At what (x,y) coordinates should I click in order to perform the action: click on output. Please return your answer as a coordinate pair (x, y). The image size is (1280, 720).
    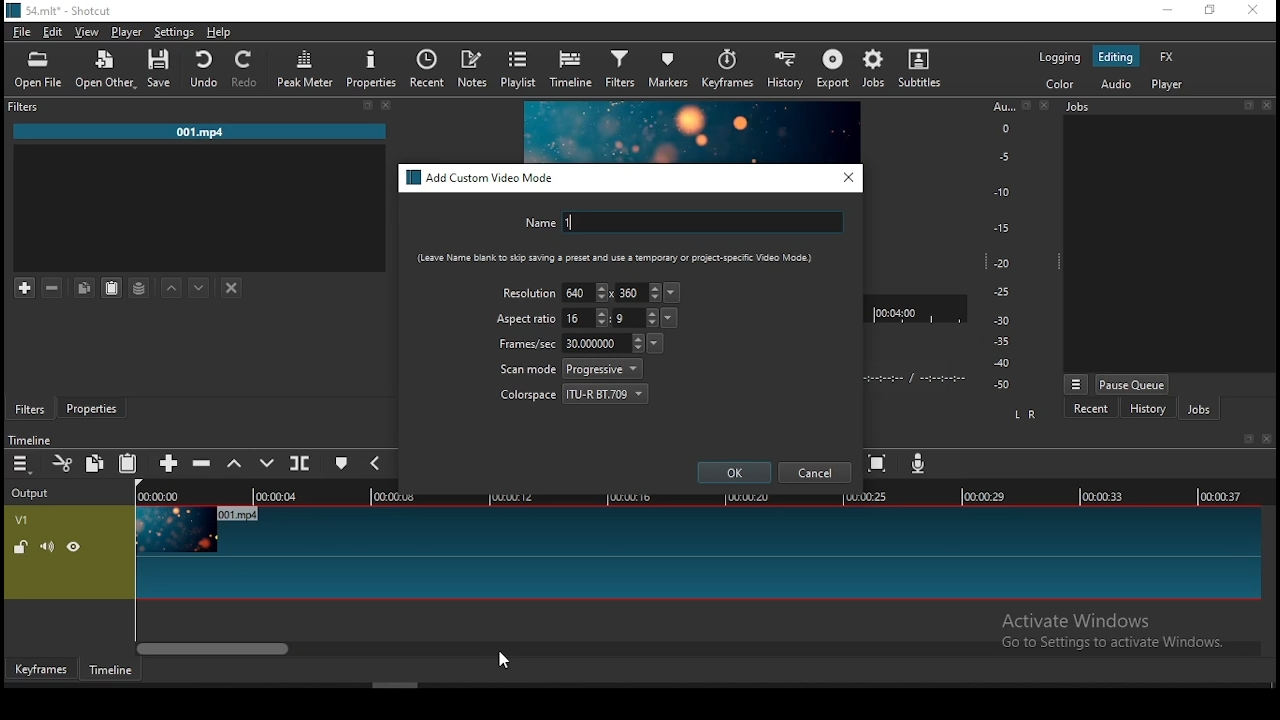
    Looking at the image, I should click on (33, 494).